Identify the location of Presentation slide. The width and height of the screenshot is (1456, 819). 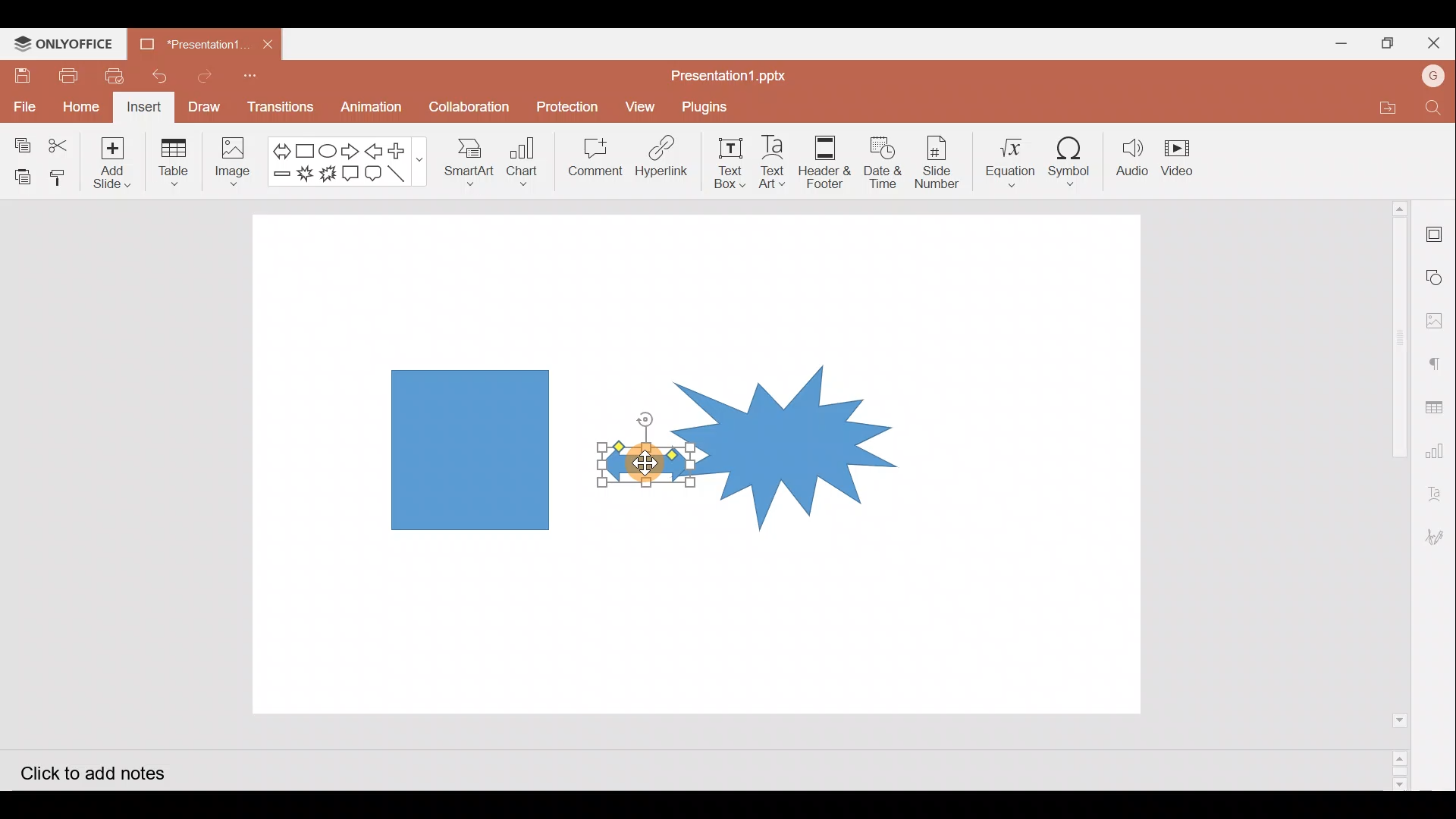
(1014, 469).